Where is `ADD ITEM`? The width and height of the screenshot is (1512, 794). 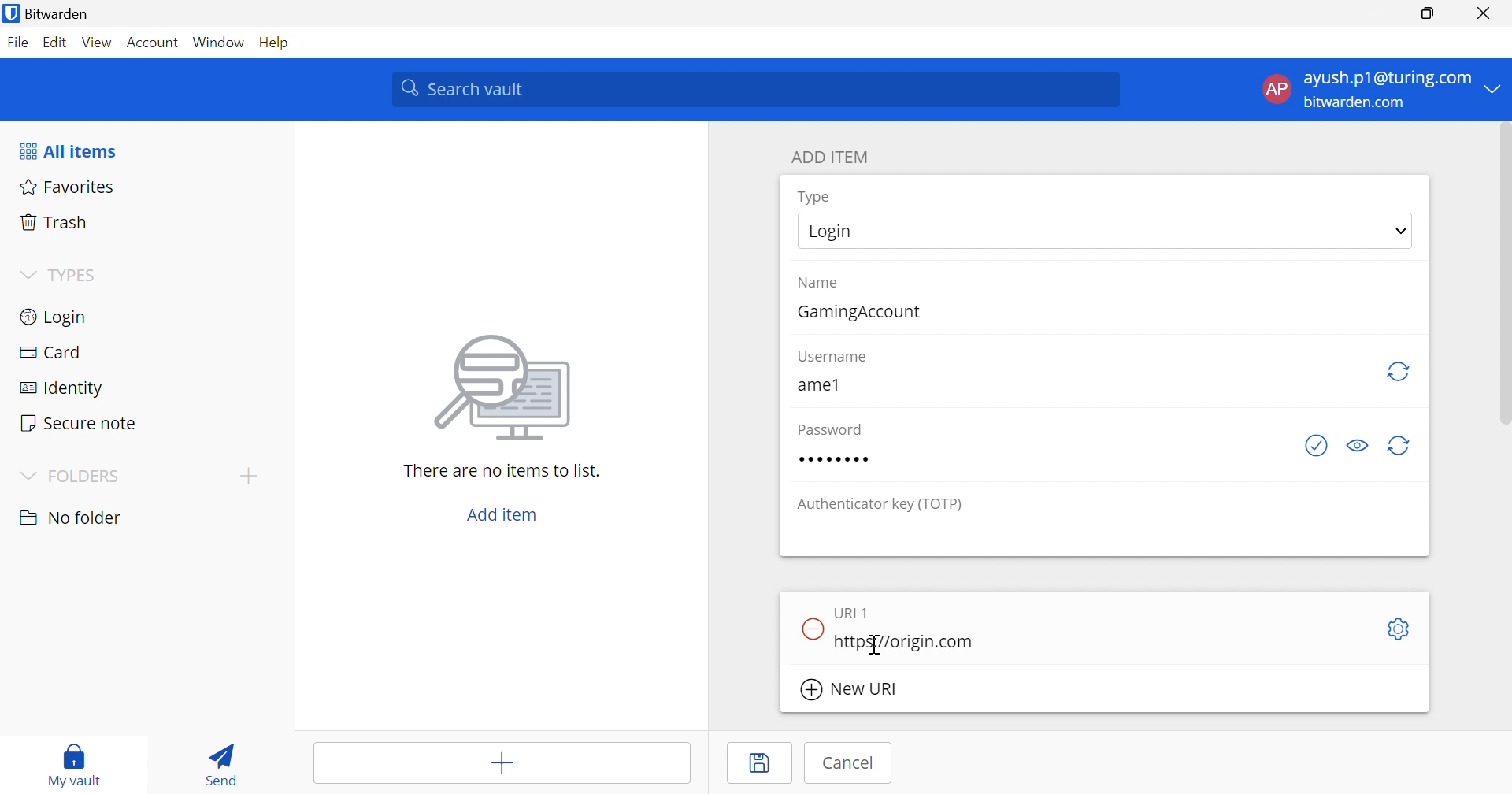
ADD ITEM is located at coordinates (834, 158).